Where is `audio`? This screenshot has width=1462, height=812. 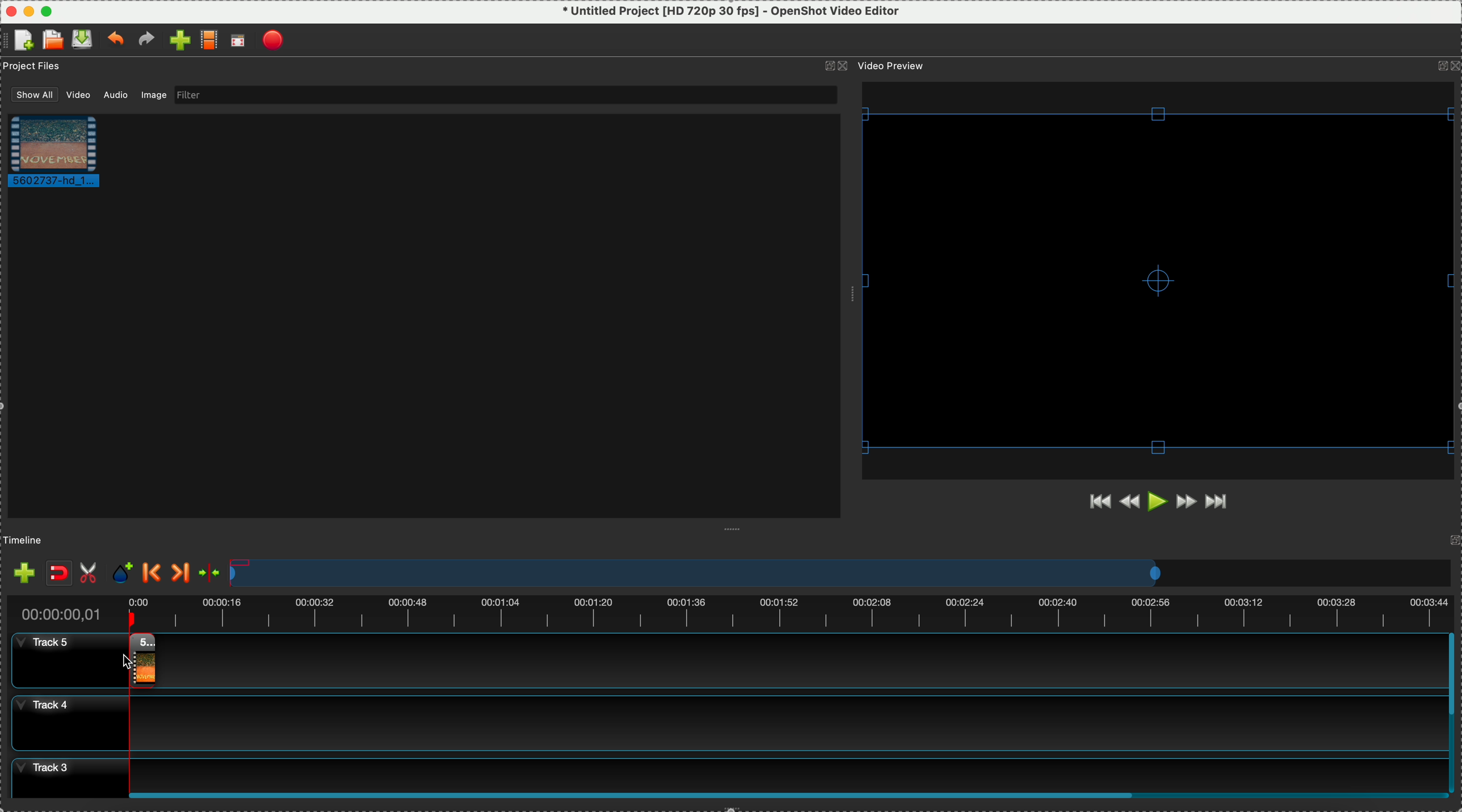
audio is located at coordinates (113, 96).